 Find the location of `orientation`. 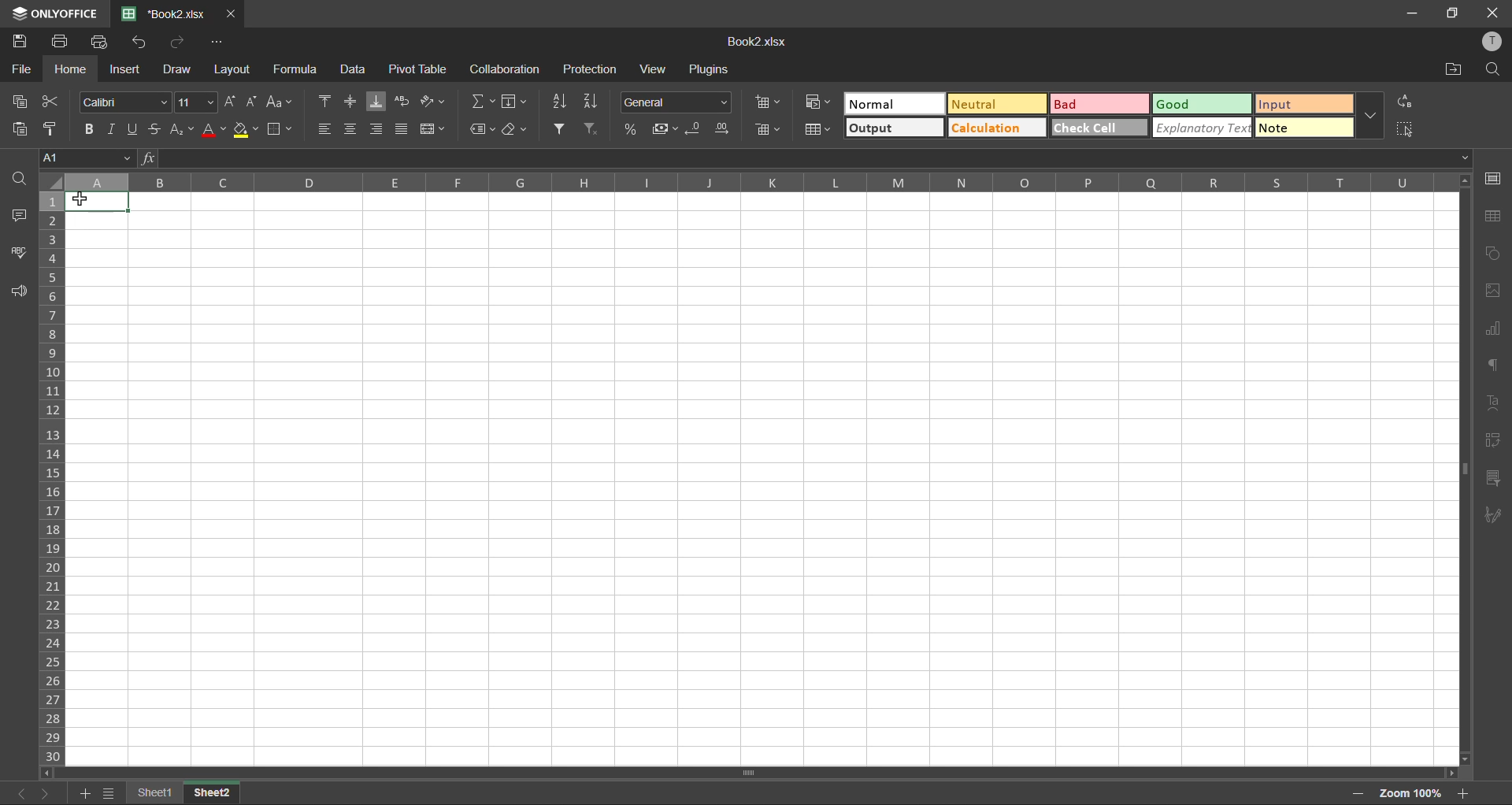

orientation is located at coordinates (429, 101).